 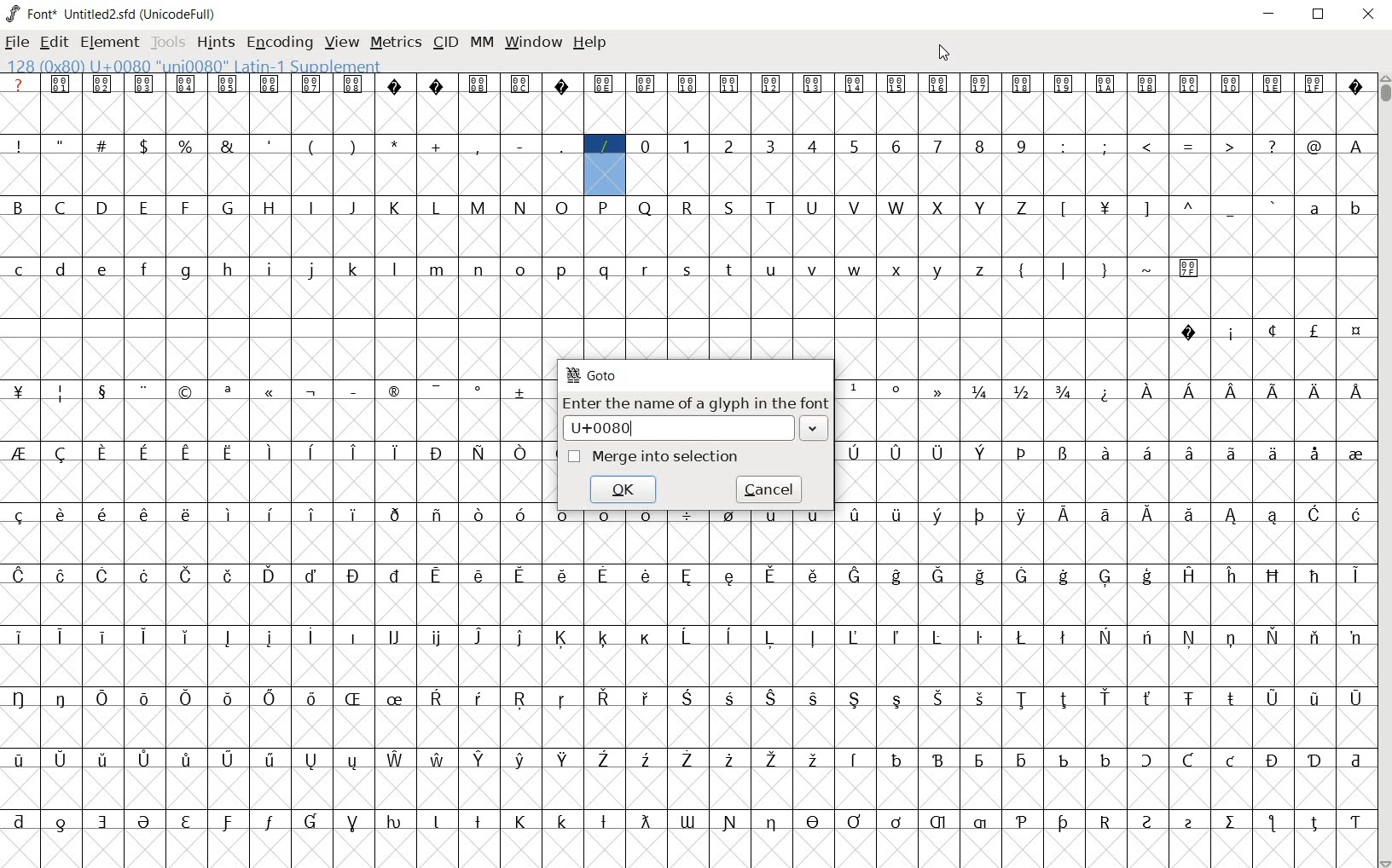 I want to click on glyph, so click(x=1232, y=517).